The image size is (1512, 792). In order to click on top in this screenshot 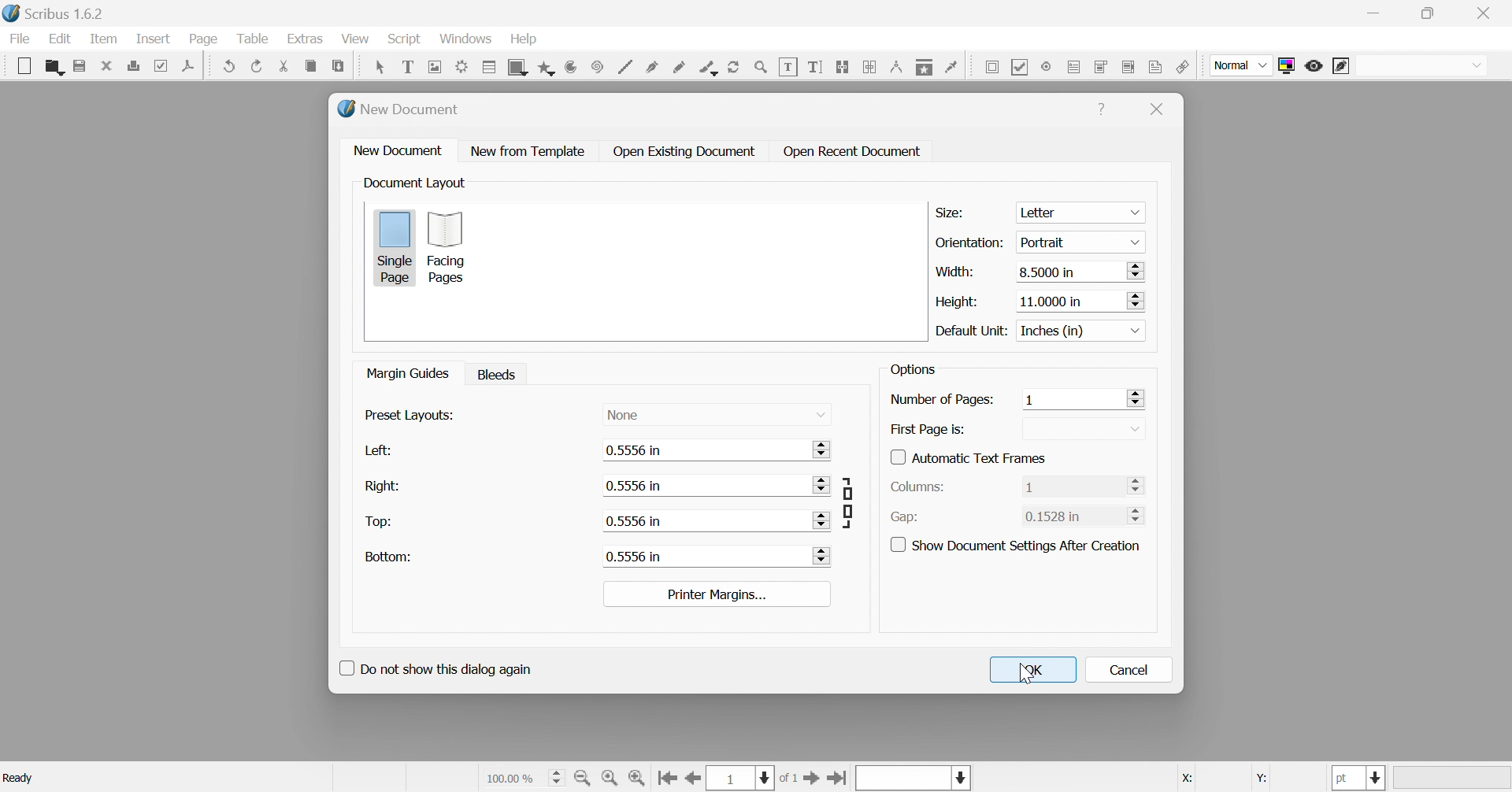, I will do `click(379, 523)`.